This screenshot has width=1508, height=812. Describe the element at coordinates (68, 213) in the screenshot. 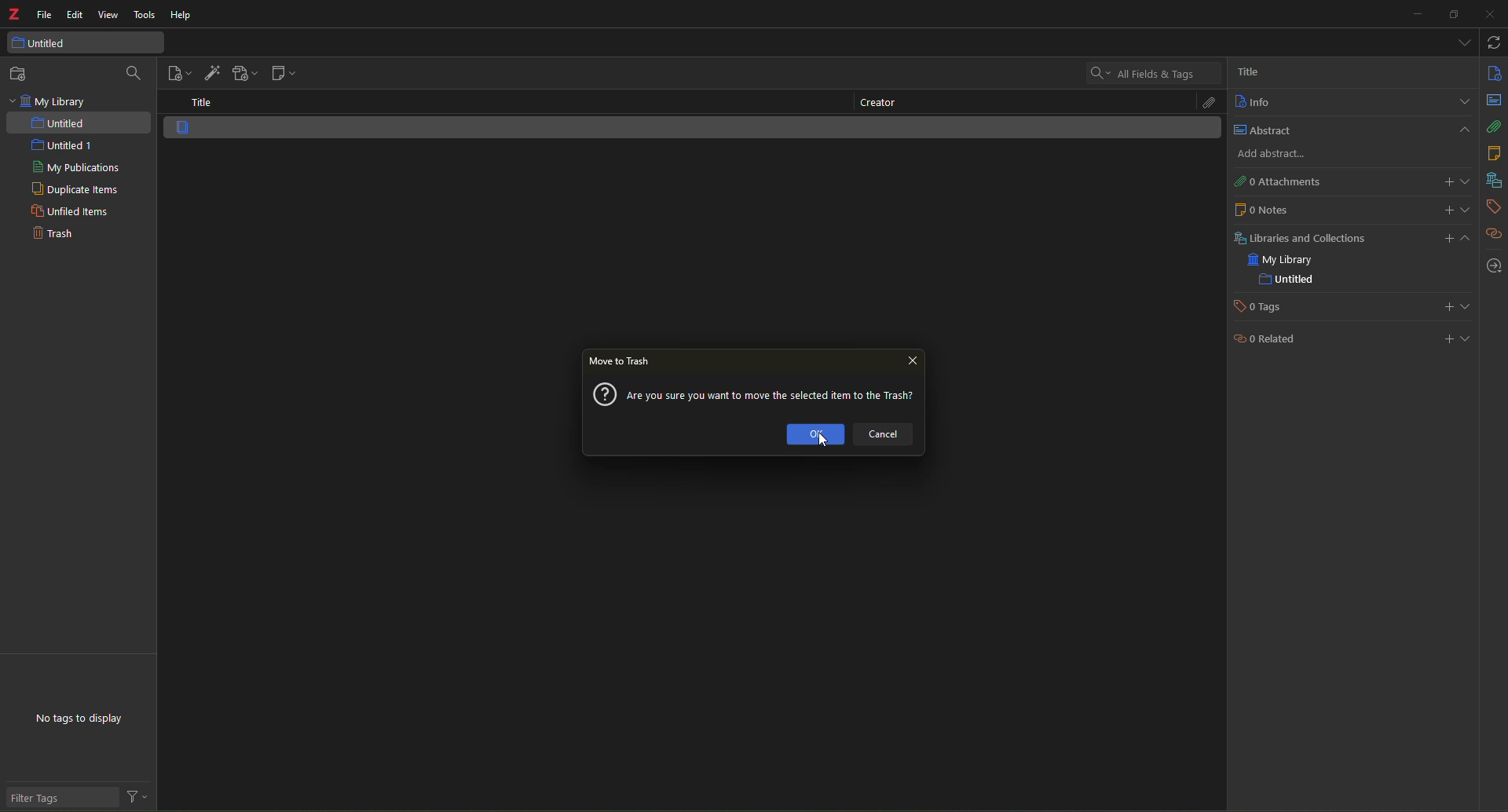

I see `unfiled item` at that location.